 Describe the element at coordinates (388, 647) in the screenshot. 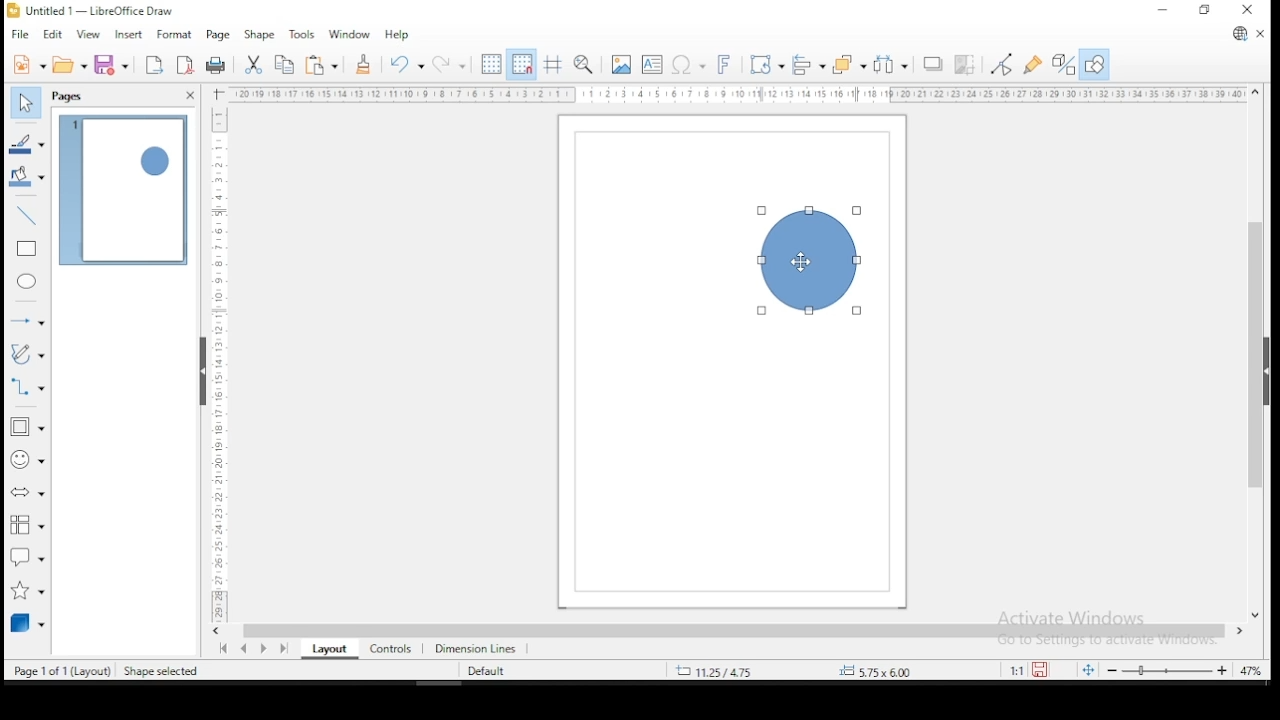

I see `controls` at that location.